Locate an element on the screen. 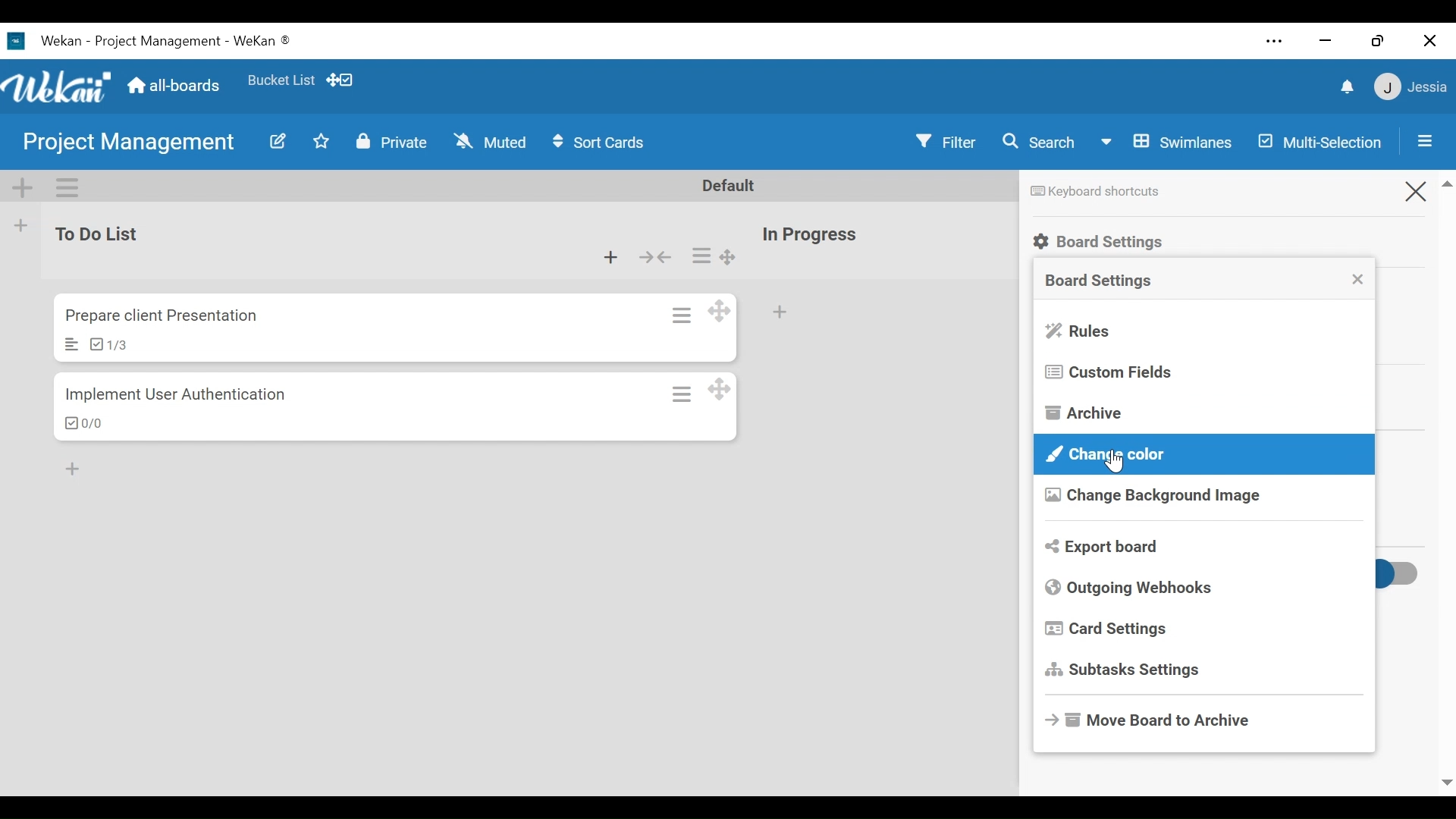  Sort Cards is located at coordinates (604, 144).